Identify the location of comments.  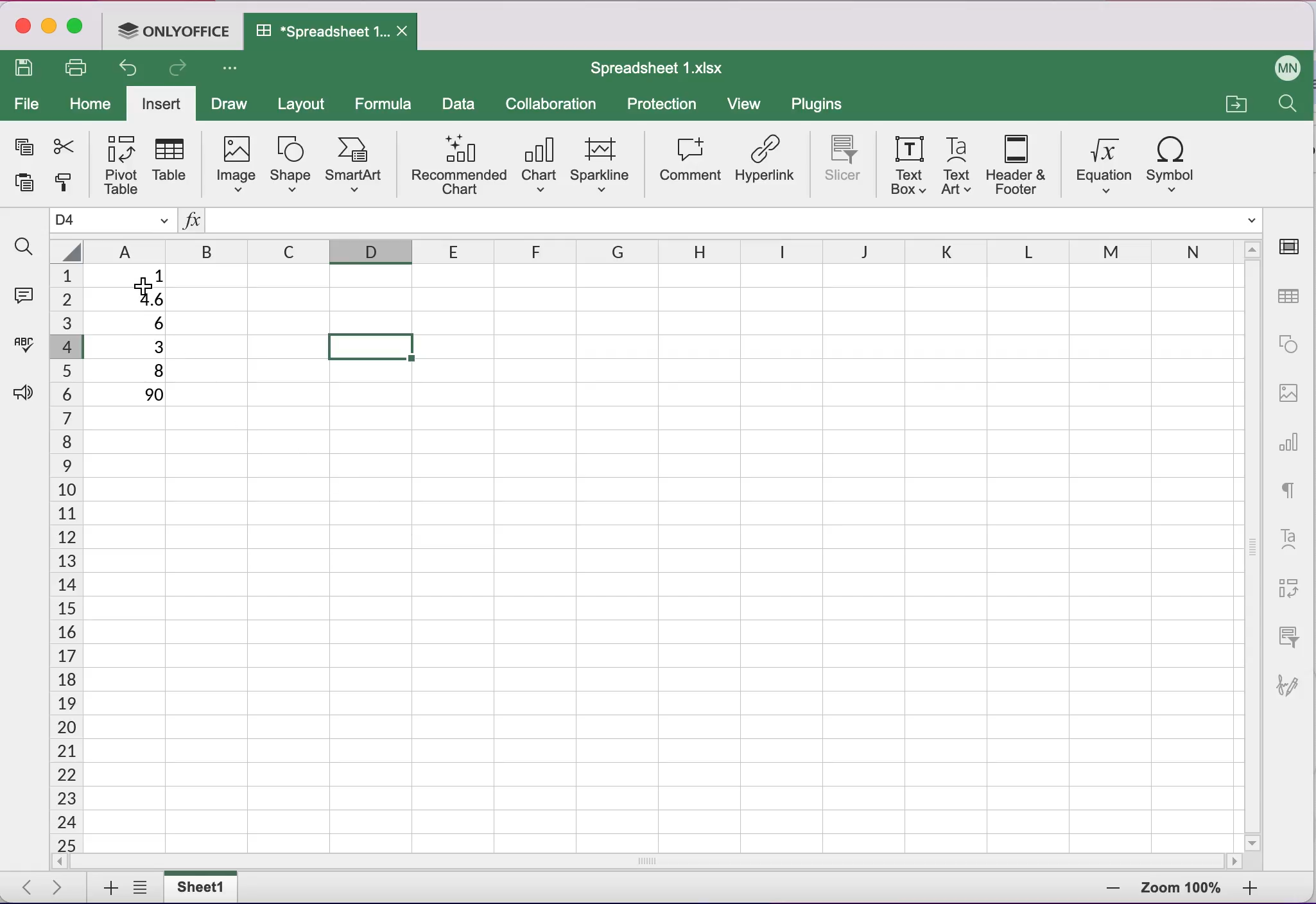
(24, 297).